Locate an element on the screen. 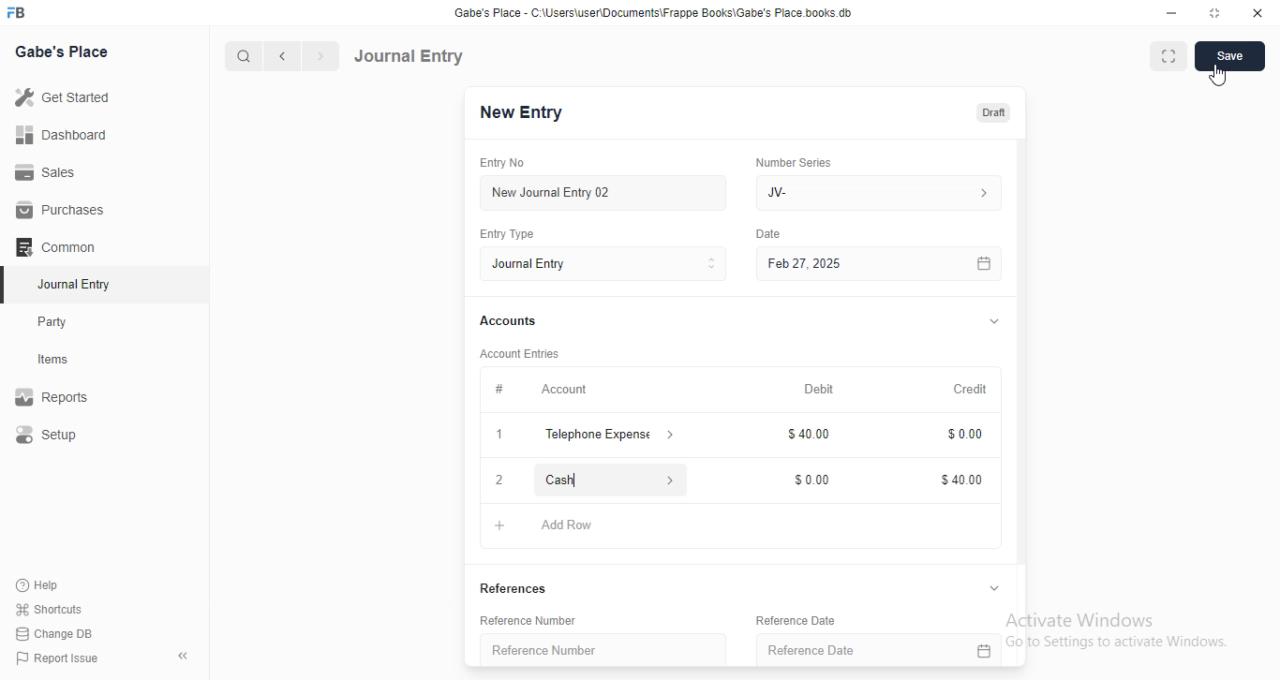 Image resolution: width=1280 pixels, height=680 pixels. Accounts is located at coordinates (507, 321).